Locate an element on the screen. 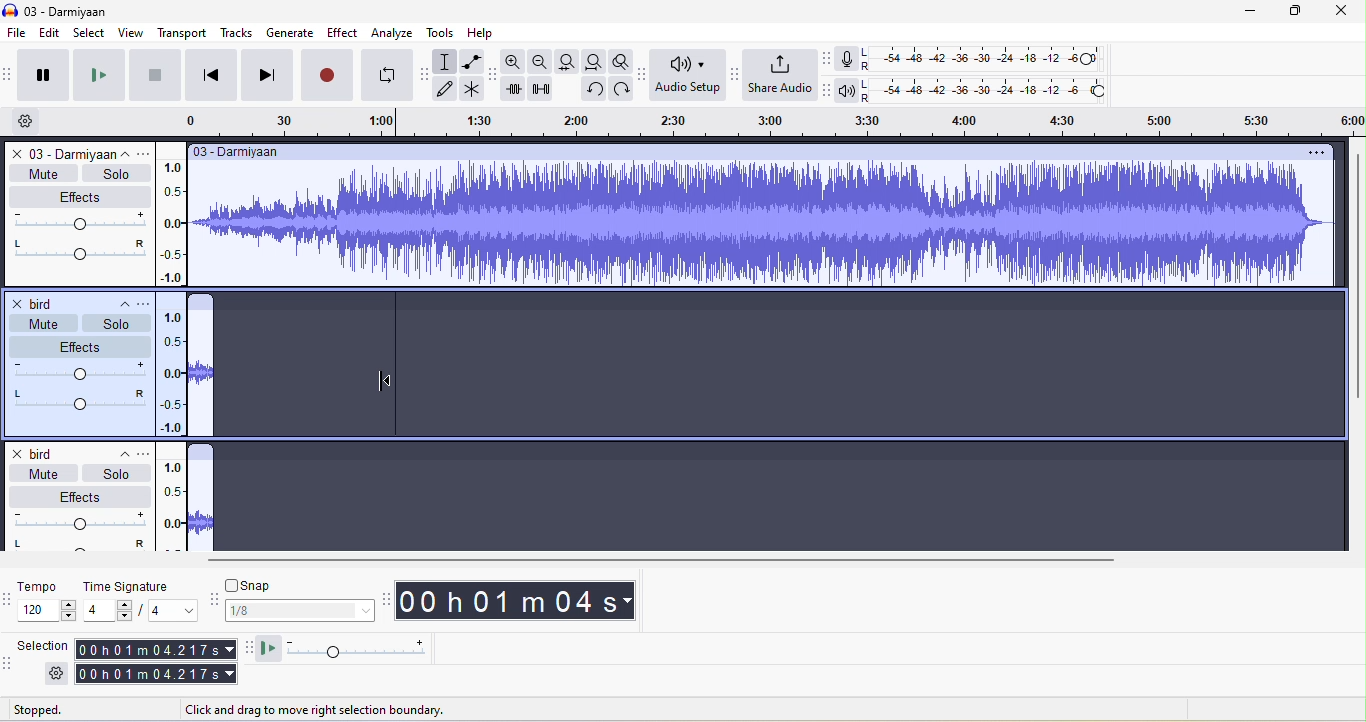 The width and height of the screenshot is (1366, 722). zoom toggle is located at coordinates (620, 61).